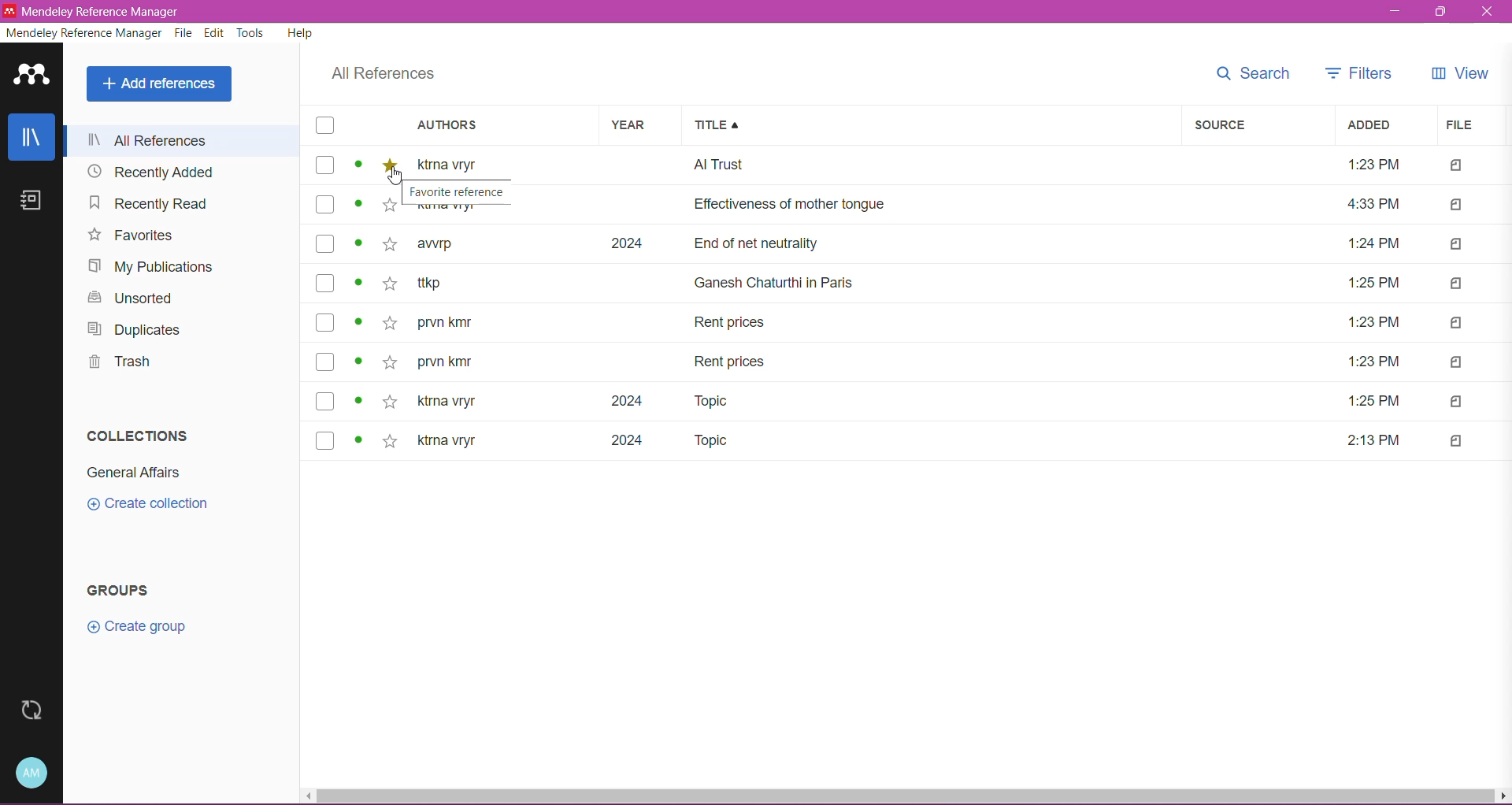 This screenshot has width=1512, height=805. Describe the element at coordinates (1457, 244) in the screenshot. I see `Indicates file type` at that location.